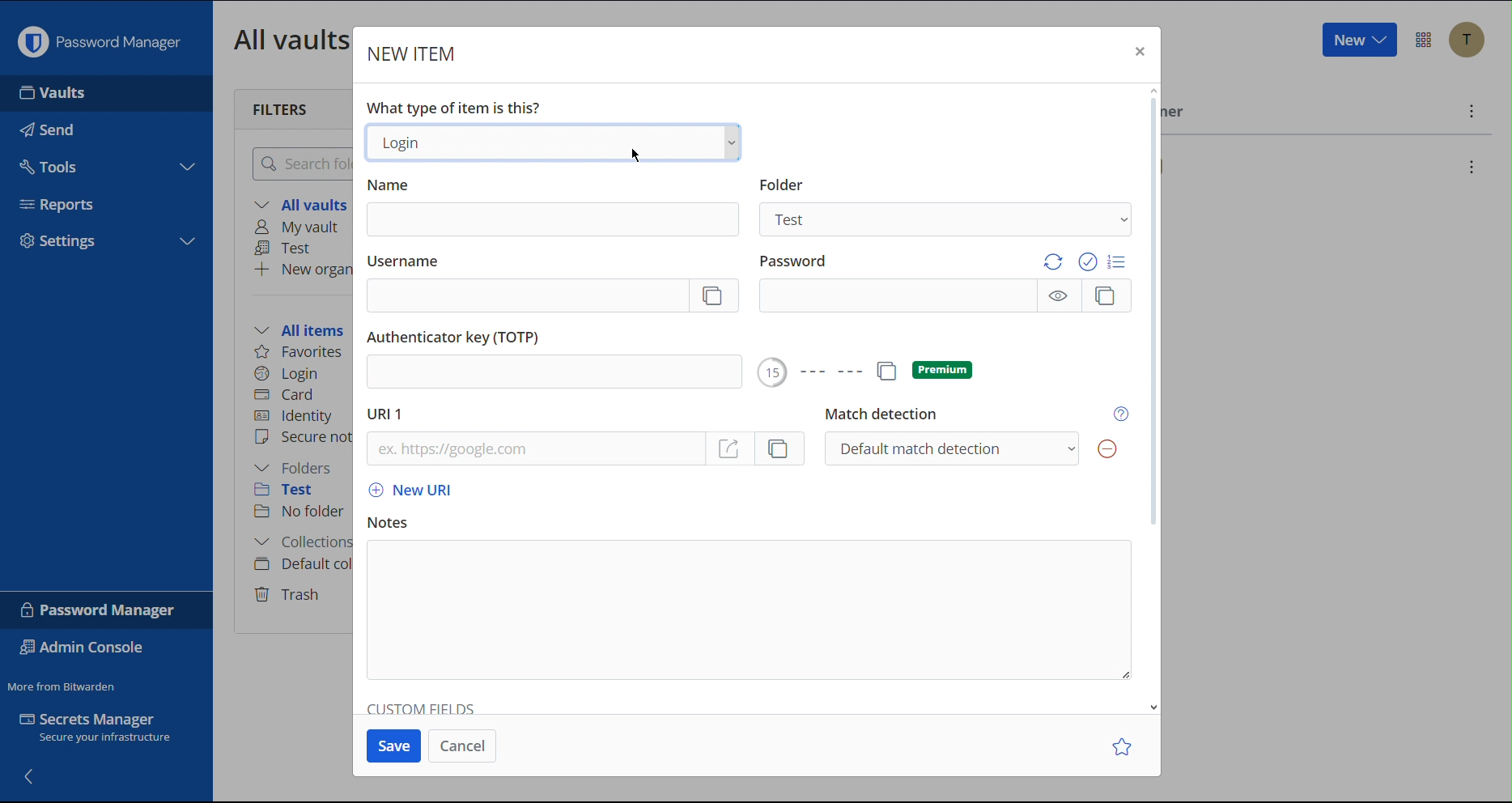  I want to click on Search Folder, so click(298, 163).